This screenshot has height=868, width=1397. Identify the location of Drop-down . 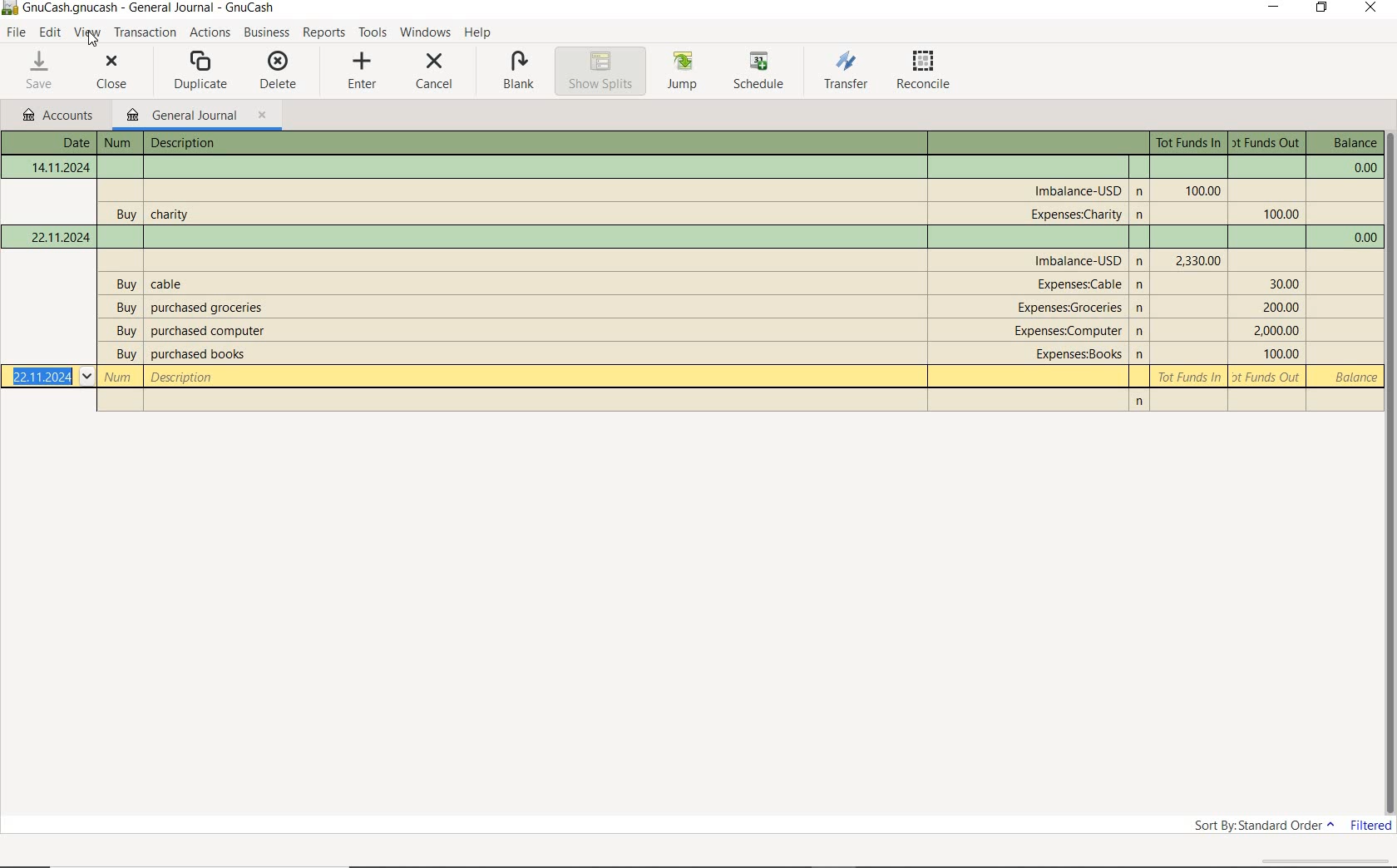
(87, 377).